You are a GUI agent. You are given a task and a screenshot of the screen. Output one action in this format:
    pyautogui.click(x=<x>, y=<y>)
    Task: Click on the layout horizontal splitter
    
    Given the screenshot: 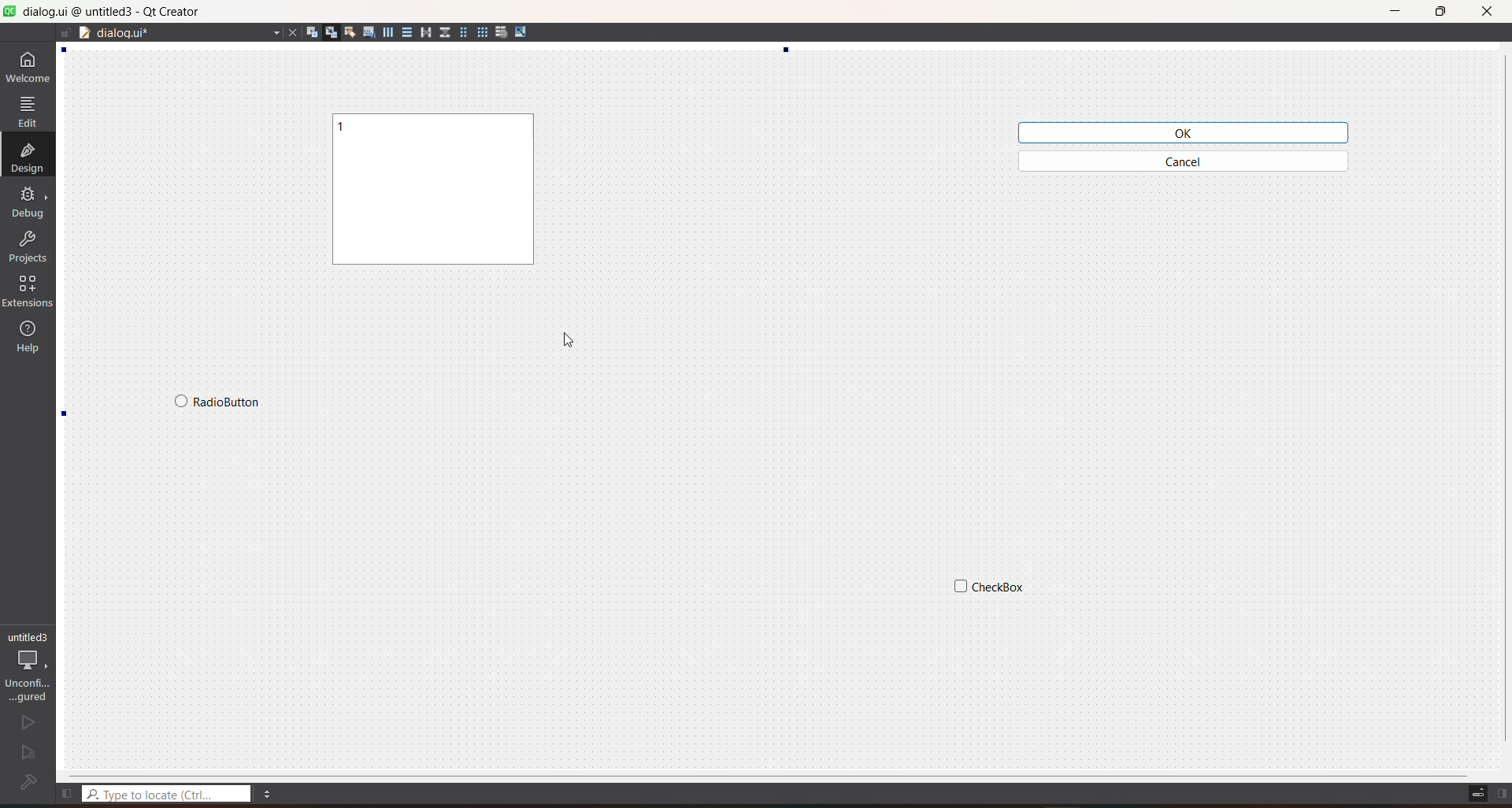 What is the action you would take?
    pyautogui.click(x=423, y=33)
    